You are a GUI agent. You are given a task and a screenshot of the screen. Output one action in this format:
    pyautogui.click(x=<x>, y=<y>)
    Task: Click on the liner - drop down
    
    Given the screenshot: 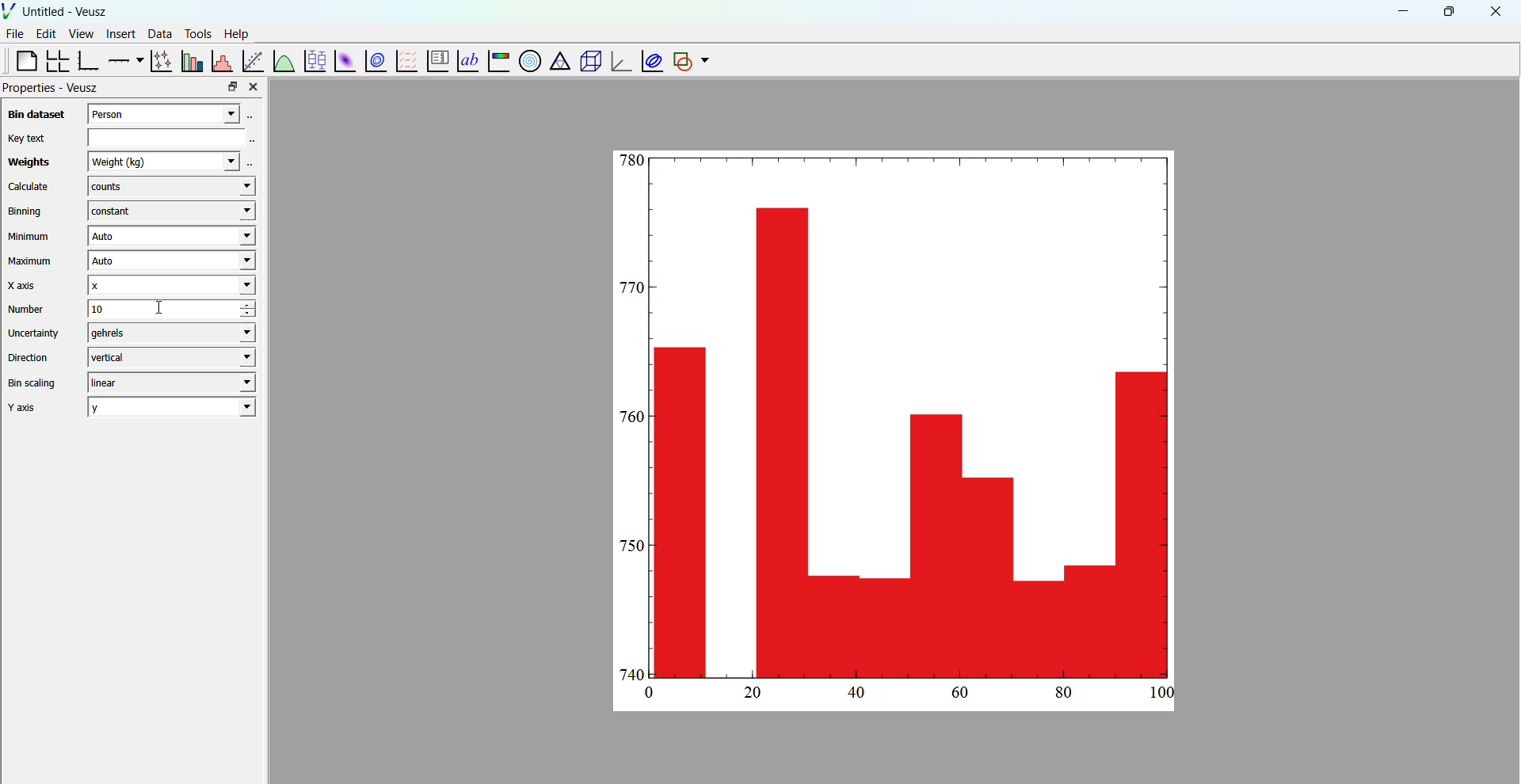 What is the action you would take?
    pyautogui.click(x=168, y=382)
    